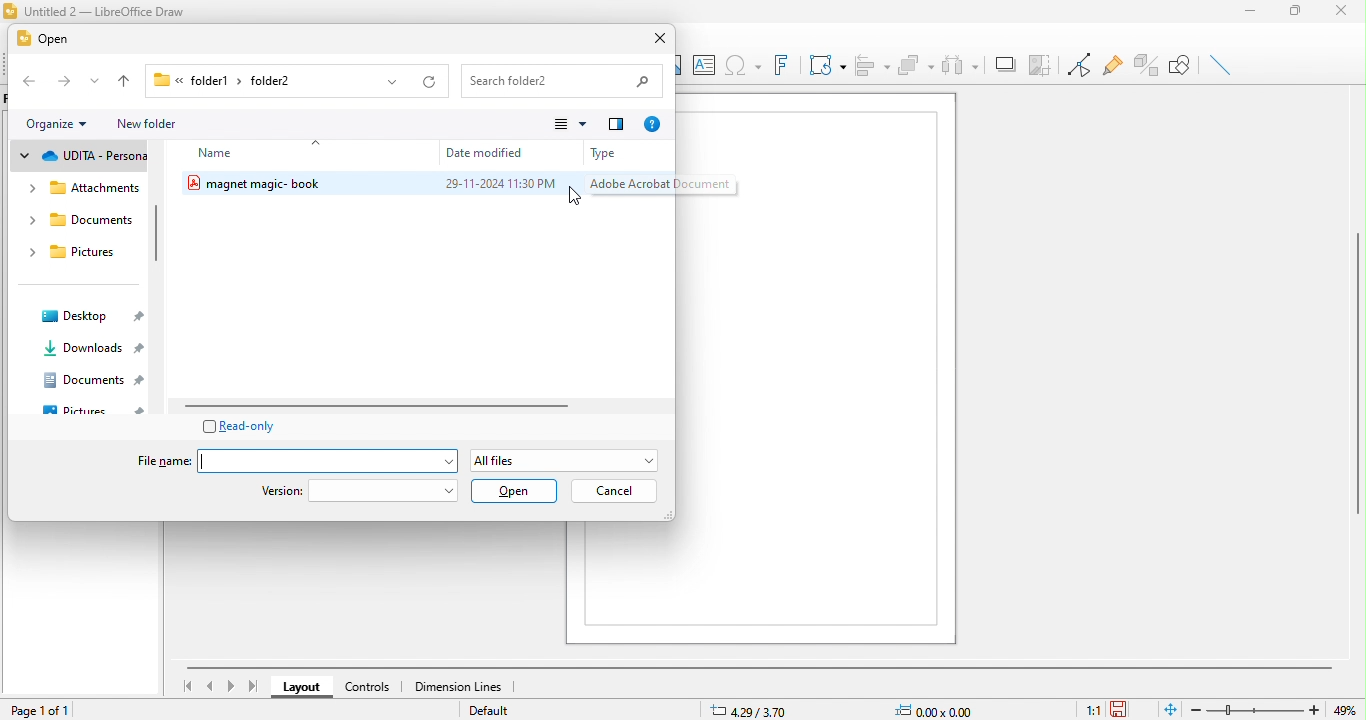  What do you see at coordinates (1165, 709) in the screenshot?
I see `fit to the current window` at bounding box center [1165, 709].